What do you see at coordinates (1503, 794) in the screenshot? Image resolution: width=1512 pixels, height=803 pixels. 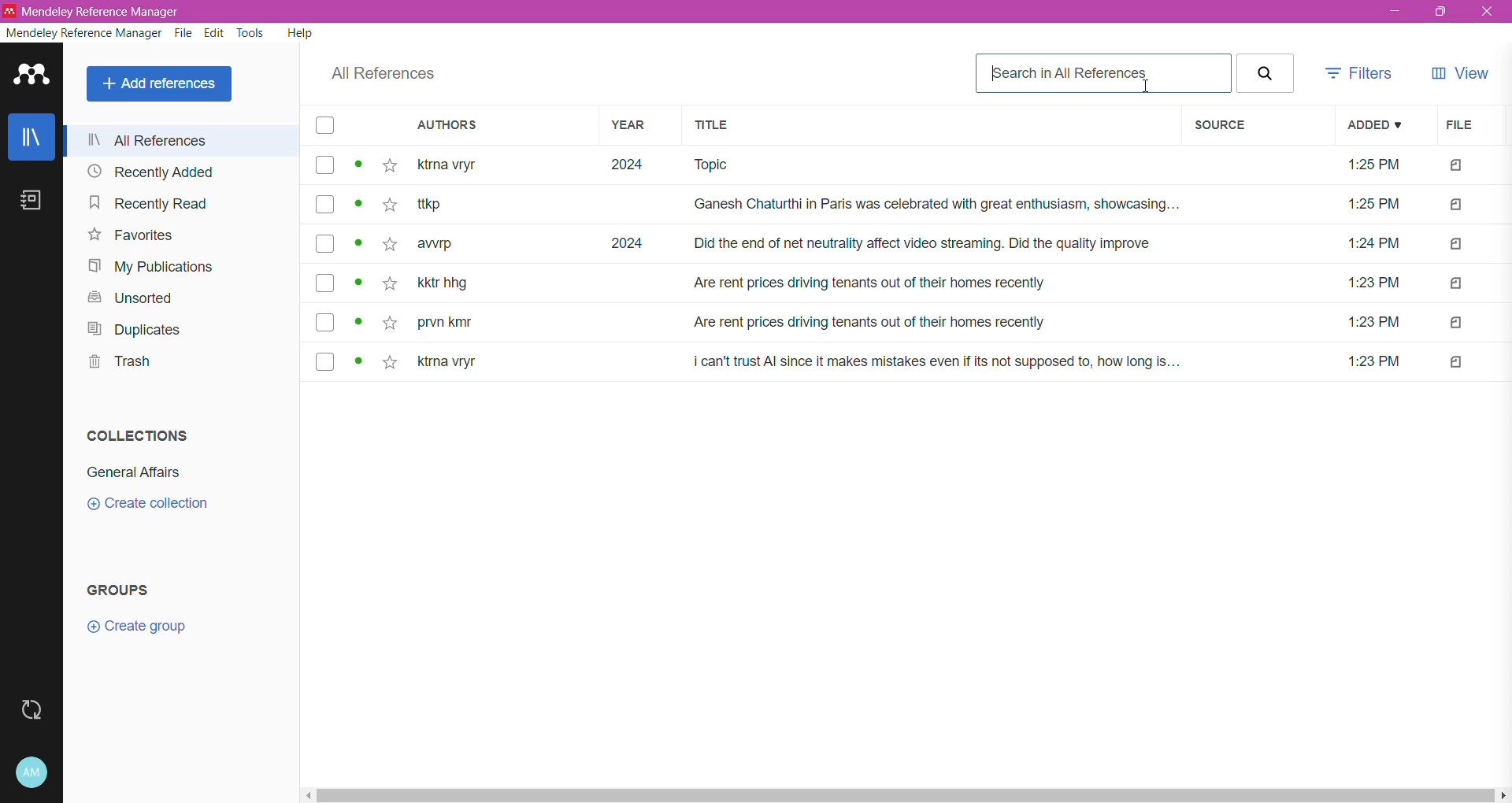 I see `move right` at bounding box center [1503, 794].